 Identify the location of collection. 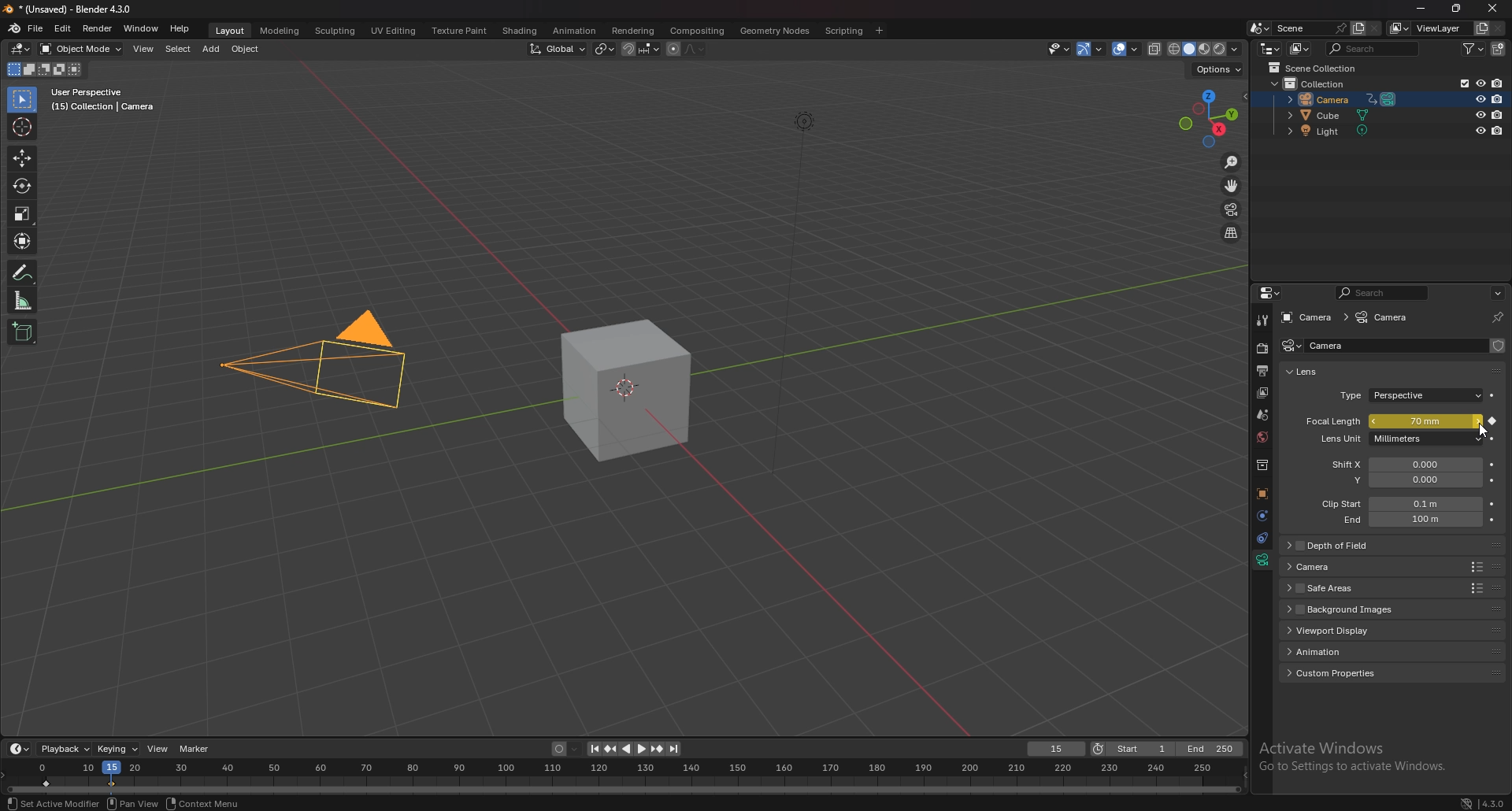
(1315, 83).